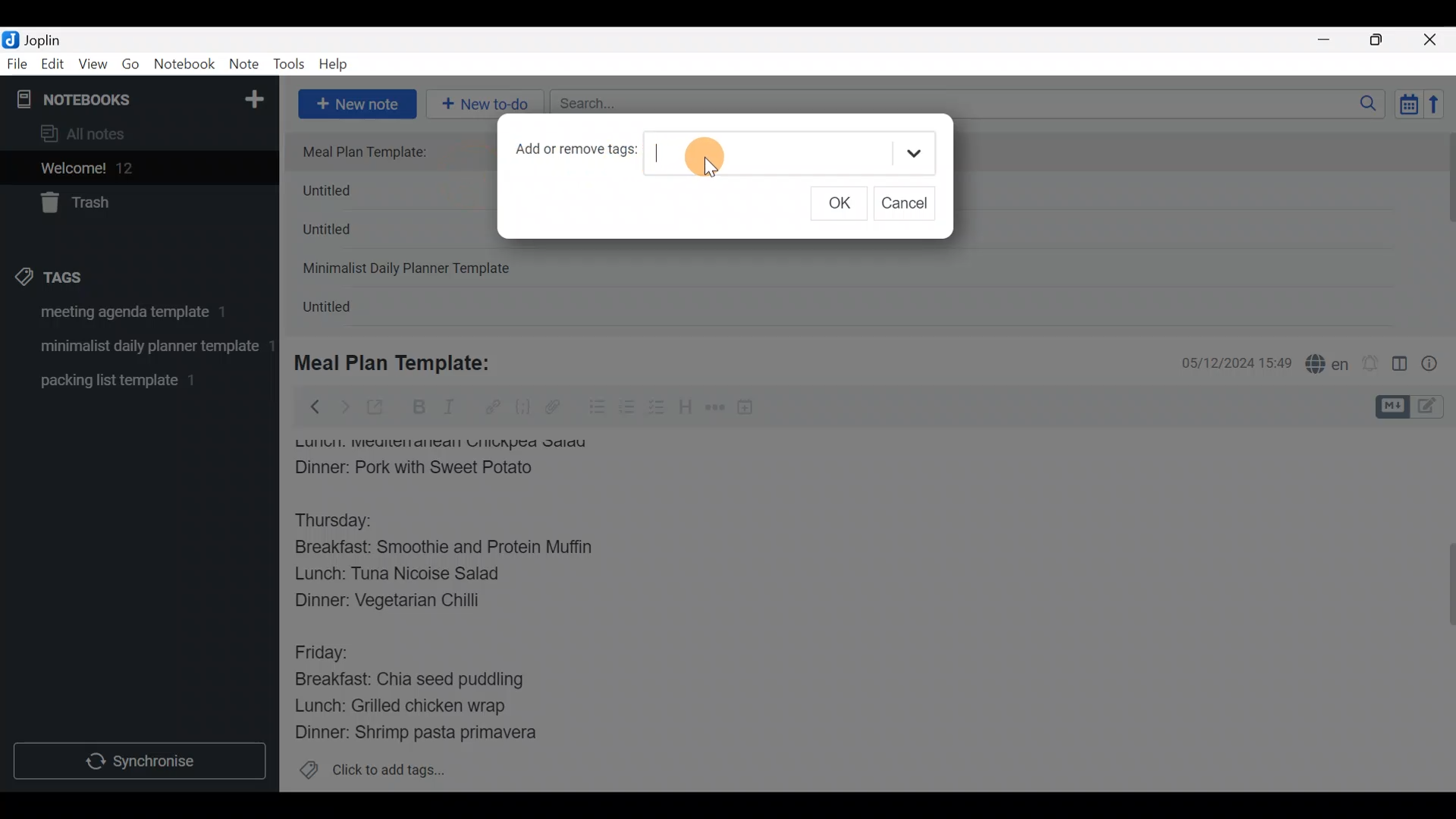 Image resolution: width=1456 pixels, height=819 pixels. What do you see at coordinates (627, 410) in the screenshot?
I see `Numbered list` at bounding box center [627, 410].